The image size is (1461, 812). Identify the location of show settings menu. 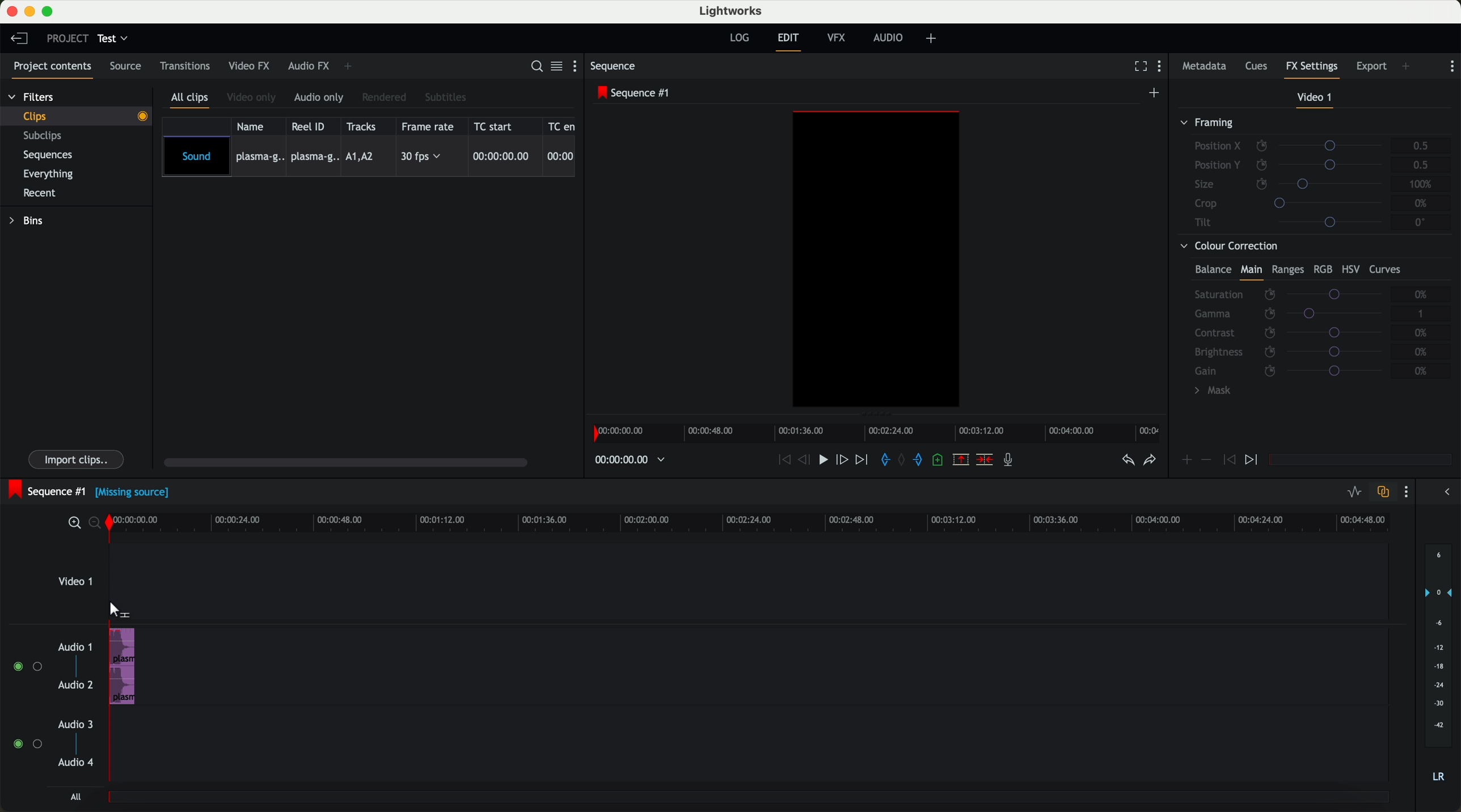
(1452, 66).